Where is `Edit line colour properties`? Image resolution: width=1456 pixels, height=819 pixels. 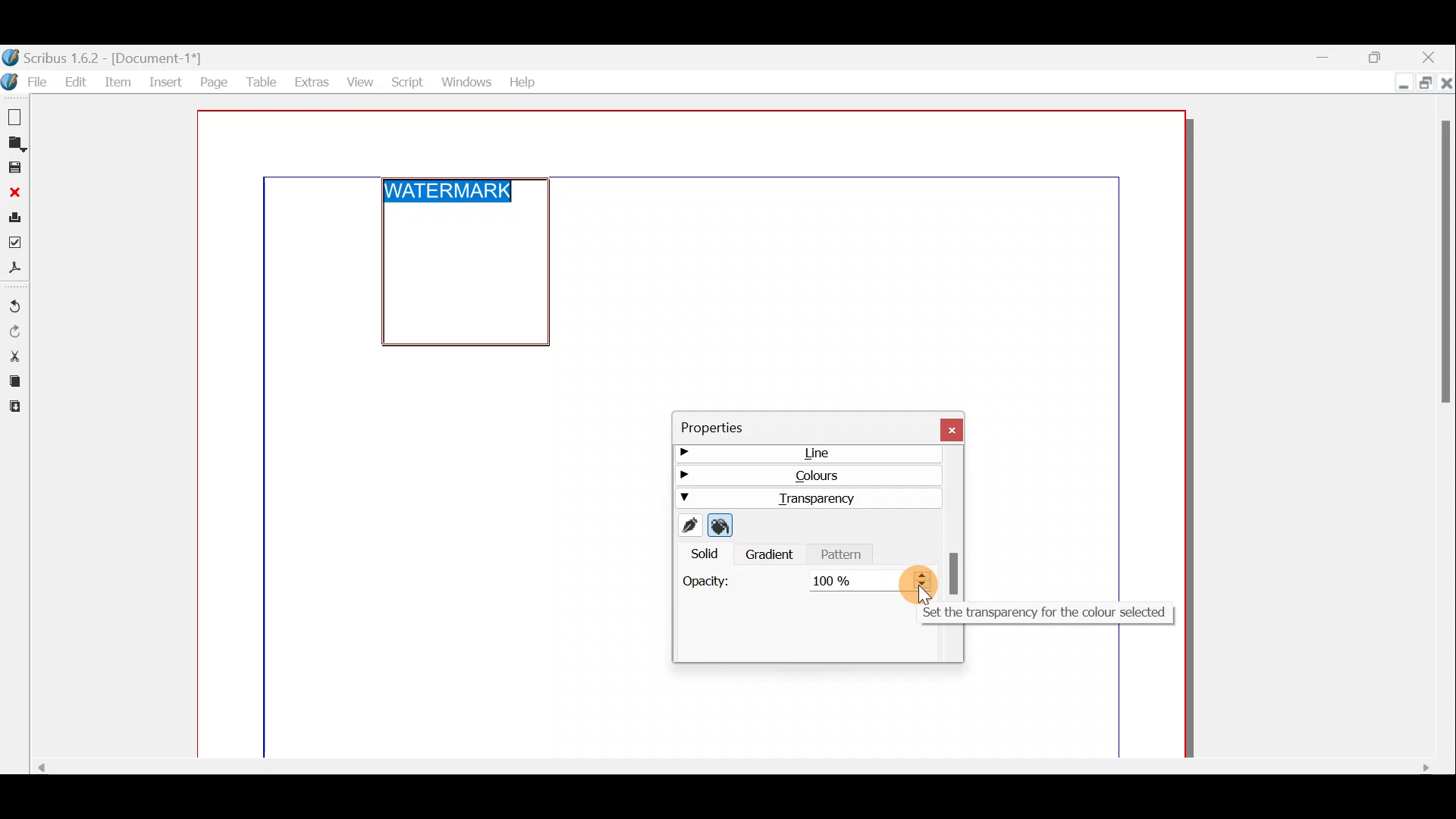
Edit line colour properties is located at coordinates (689, 526).